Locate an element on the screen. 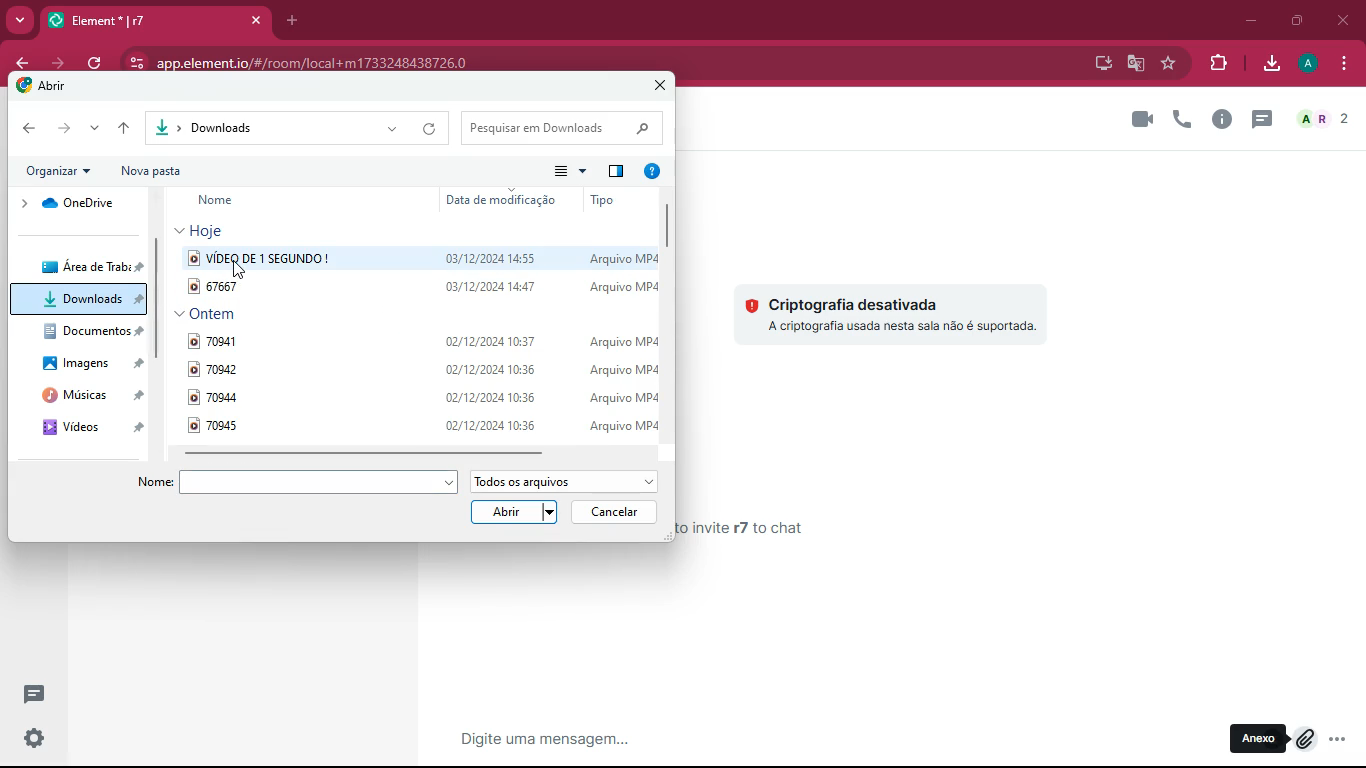 The height and width of the screenshot is (768, 1366). back is located at coordinates (32, 129).